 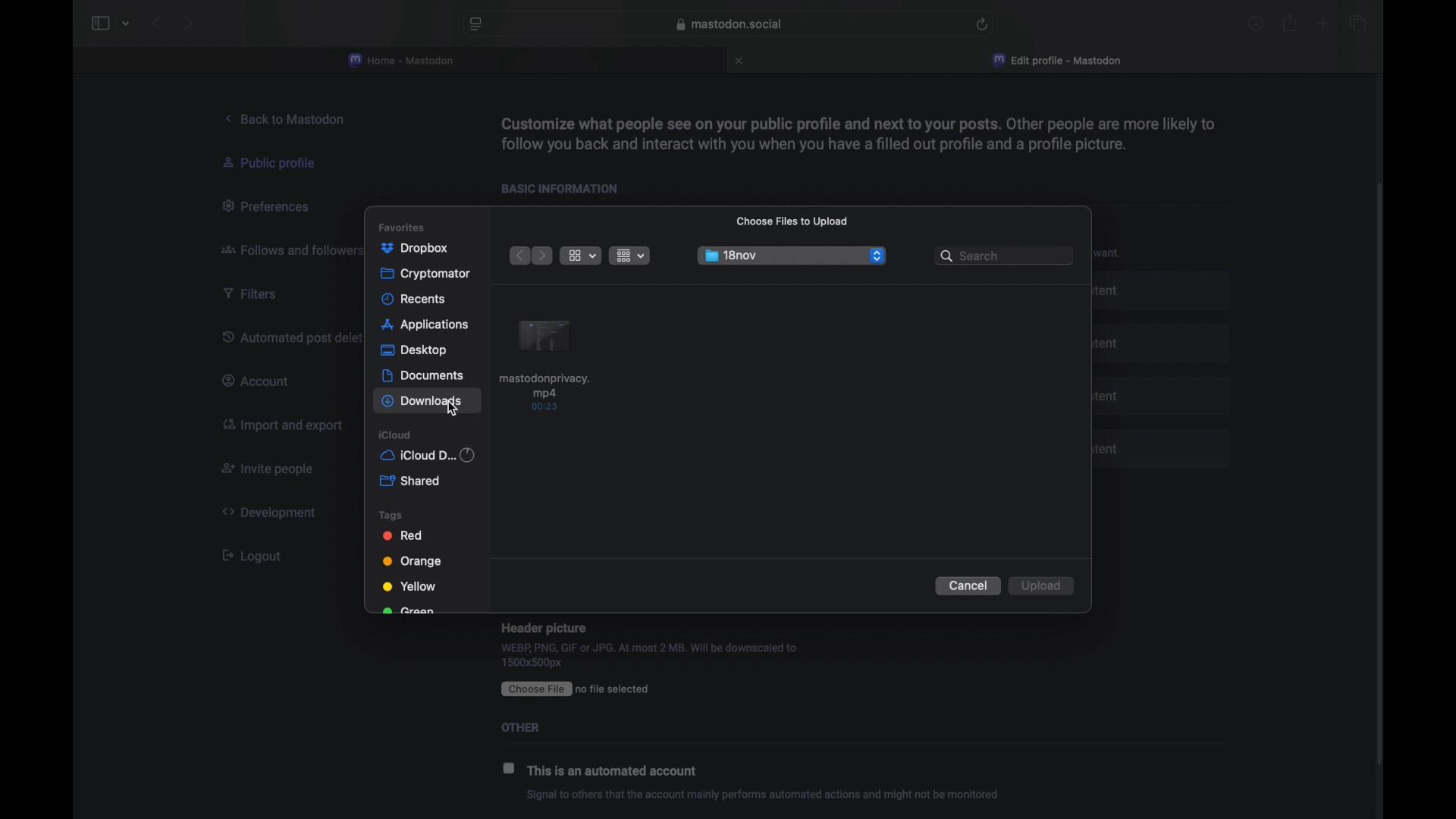 I want to click on choose files to upload, so click(x=792, y=220).